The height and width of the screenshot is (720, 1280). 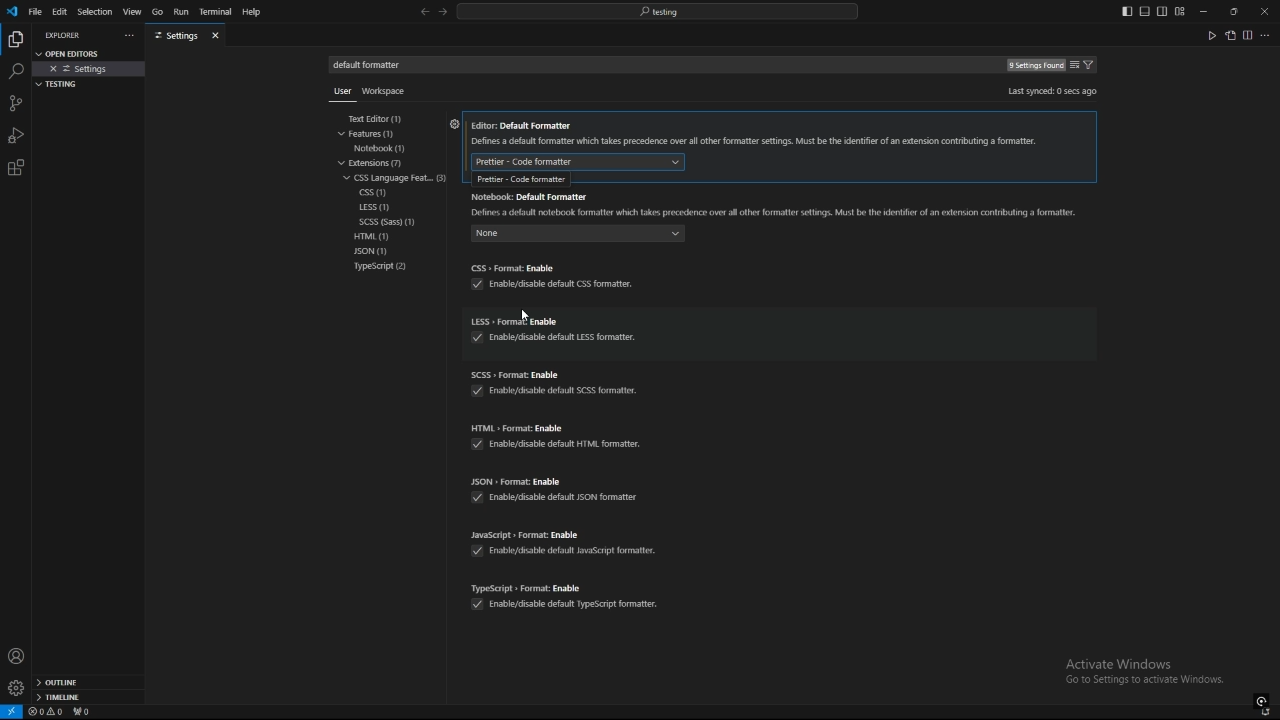 I want to click on enable /disable default typescript formatter, so click(x=564, y=605).